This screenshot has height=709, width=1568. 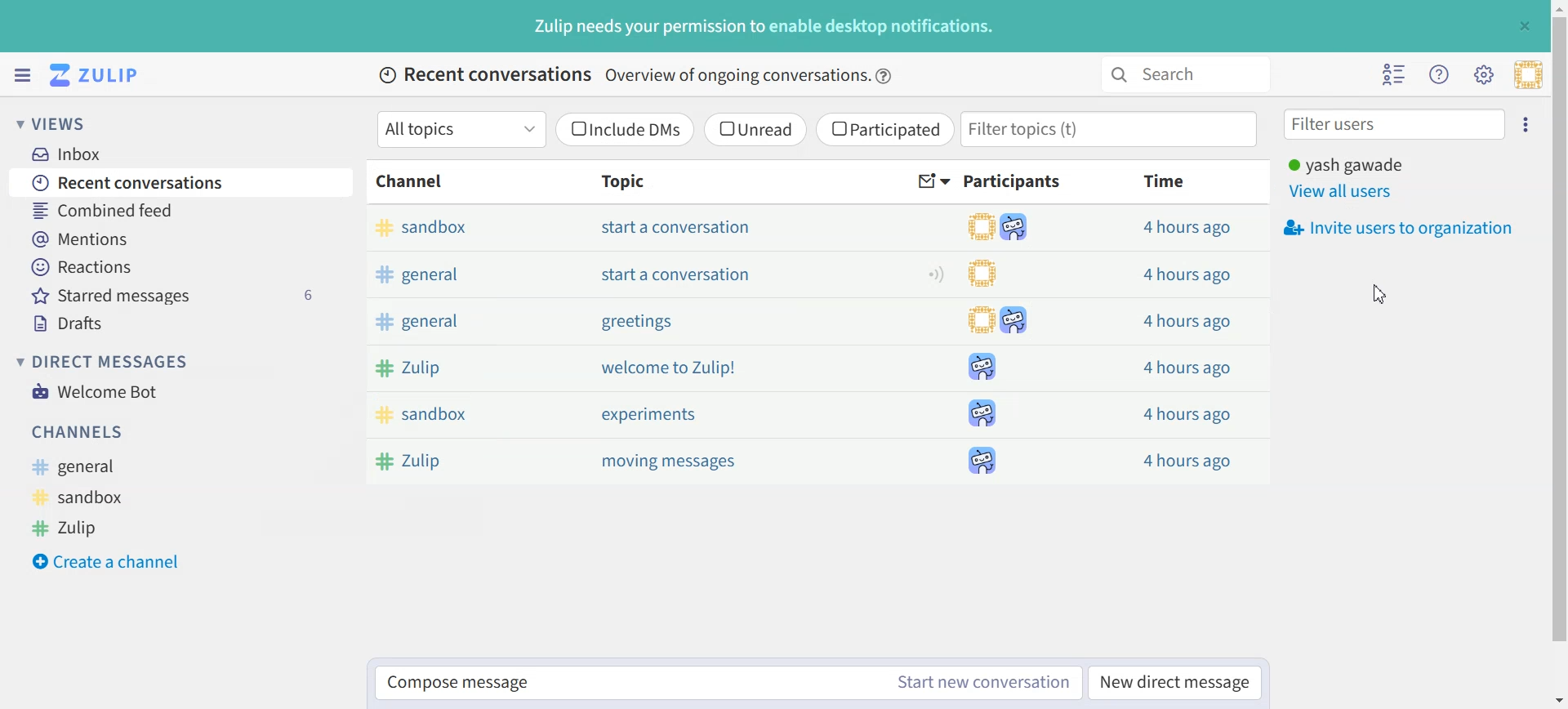 I want to click on Inbox, so click(x=74, y=154).